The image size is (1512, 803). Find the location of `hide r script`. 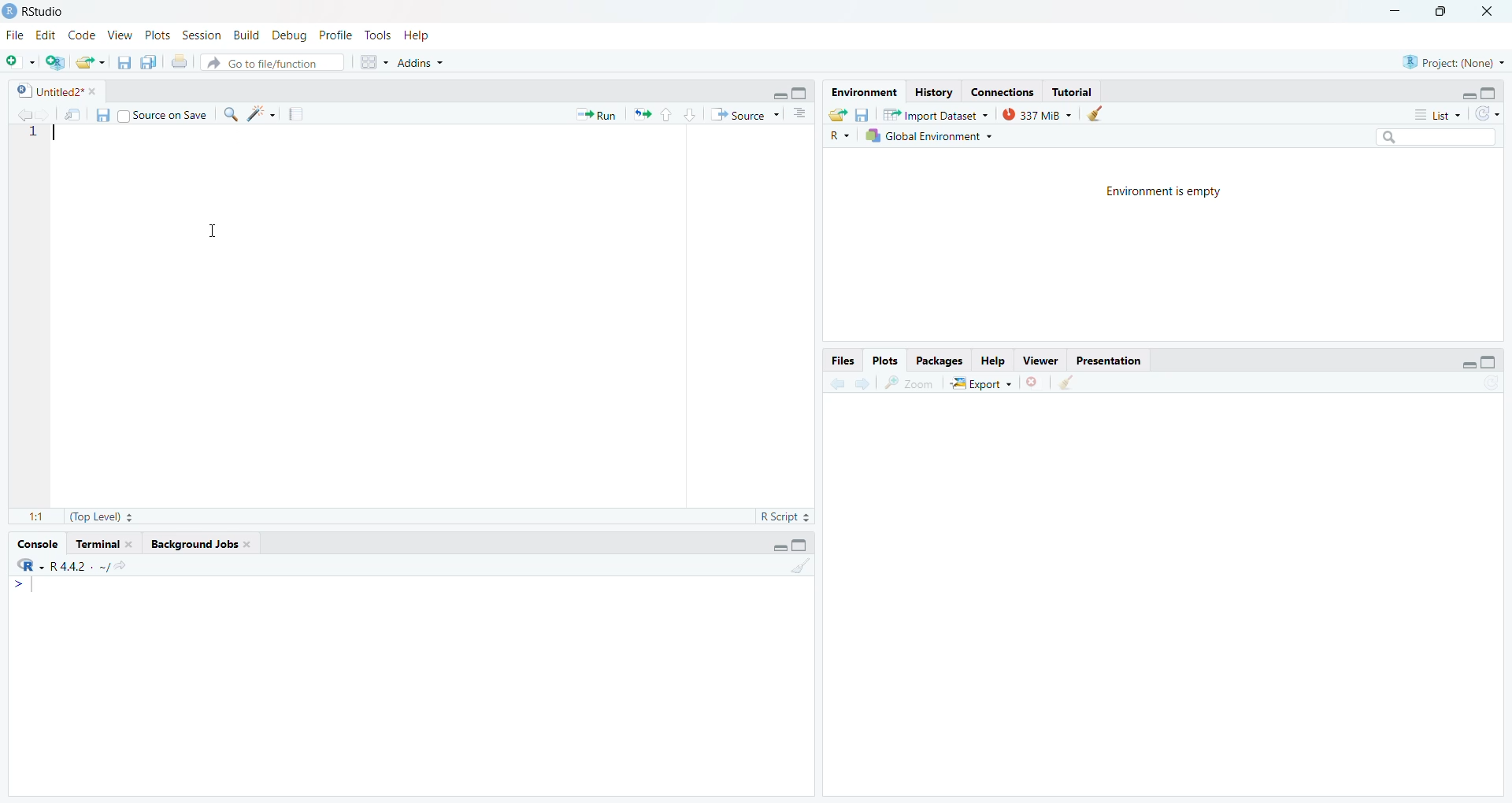

hide r script is located at coordinates (1466, 91).